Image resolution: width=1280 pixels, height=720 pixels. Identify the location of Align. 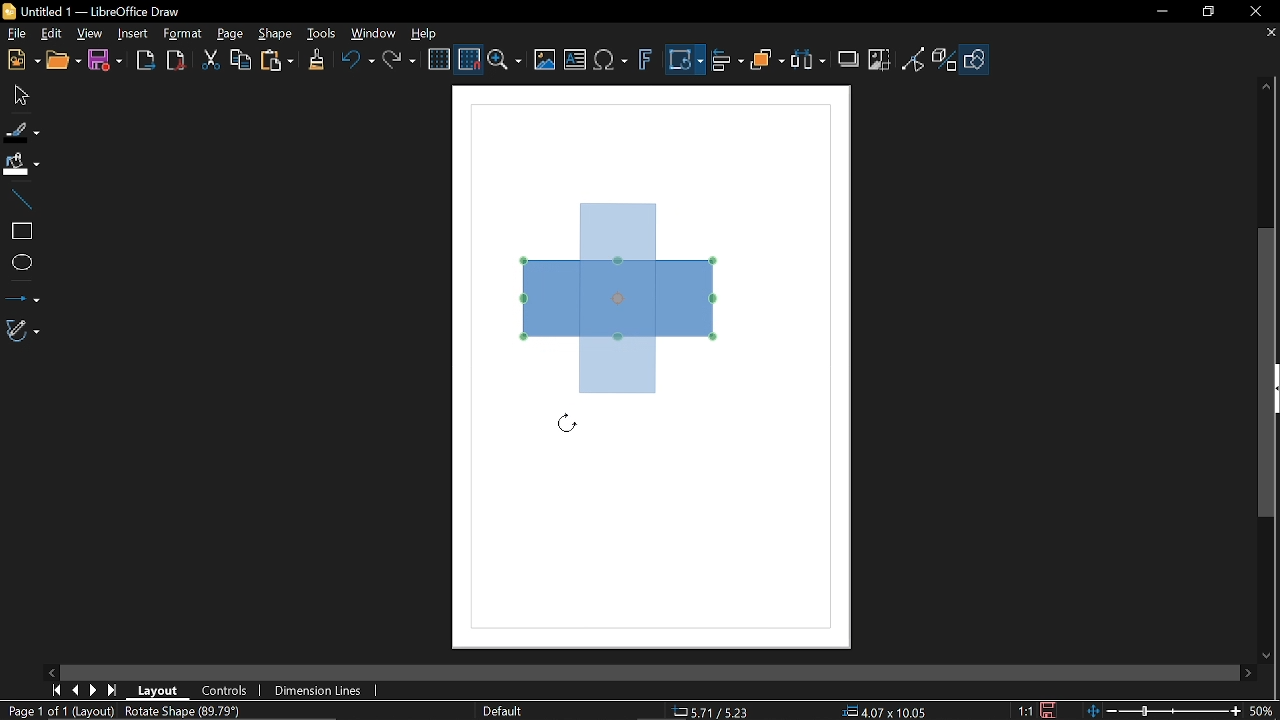
(728, 63).